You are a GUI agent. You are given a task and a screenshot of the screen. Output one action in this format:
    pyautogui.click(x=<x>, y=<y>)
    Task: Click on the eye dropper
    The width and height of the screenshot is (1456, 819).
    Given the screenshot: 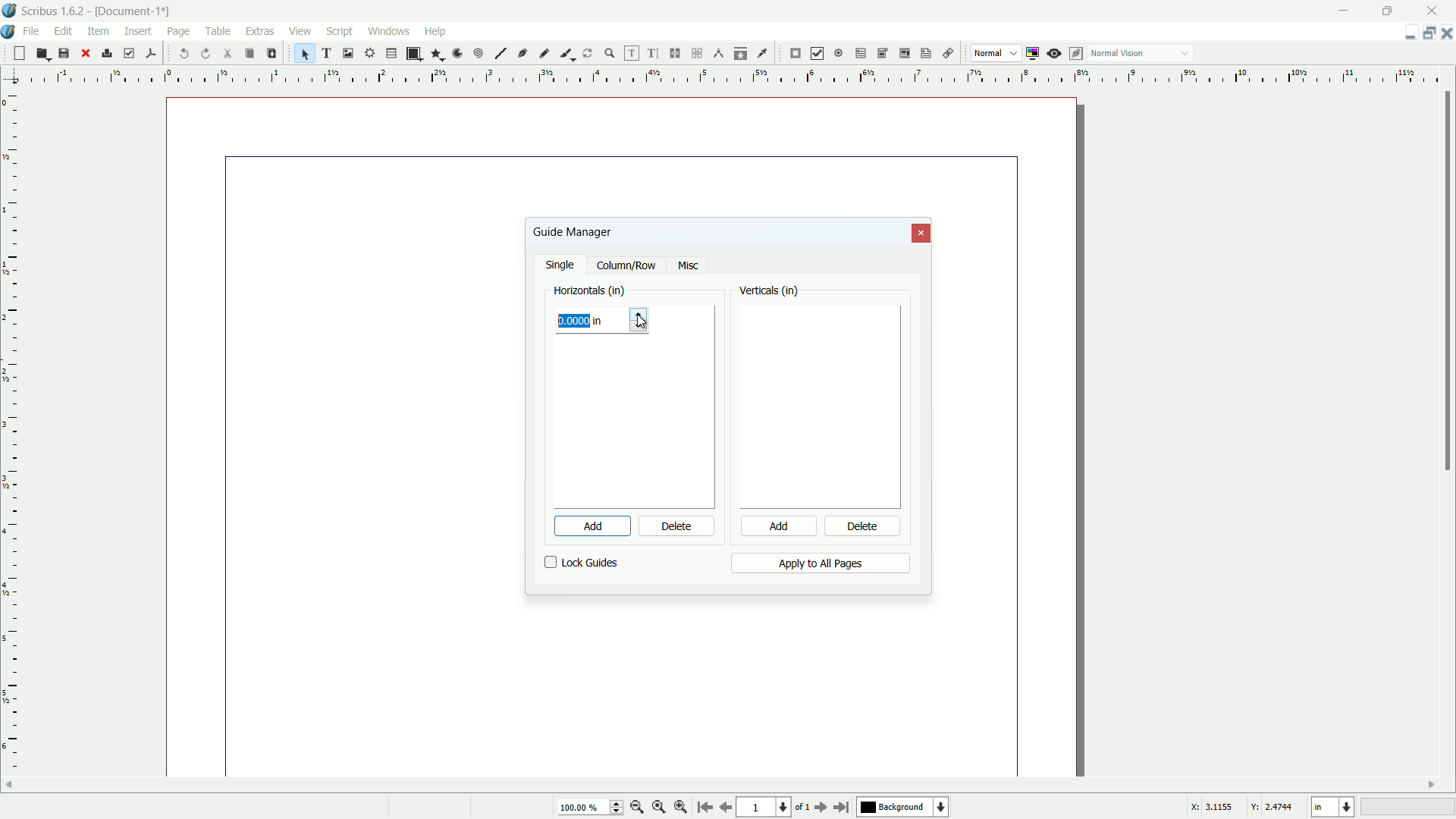 What is the action you would take?
    pyautogui.click(x=764, y=53)
    